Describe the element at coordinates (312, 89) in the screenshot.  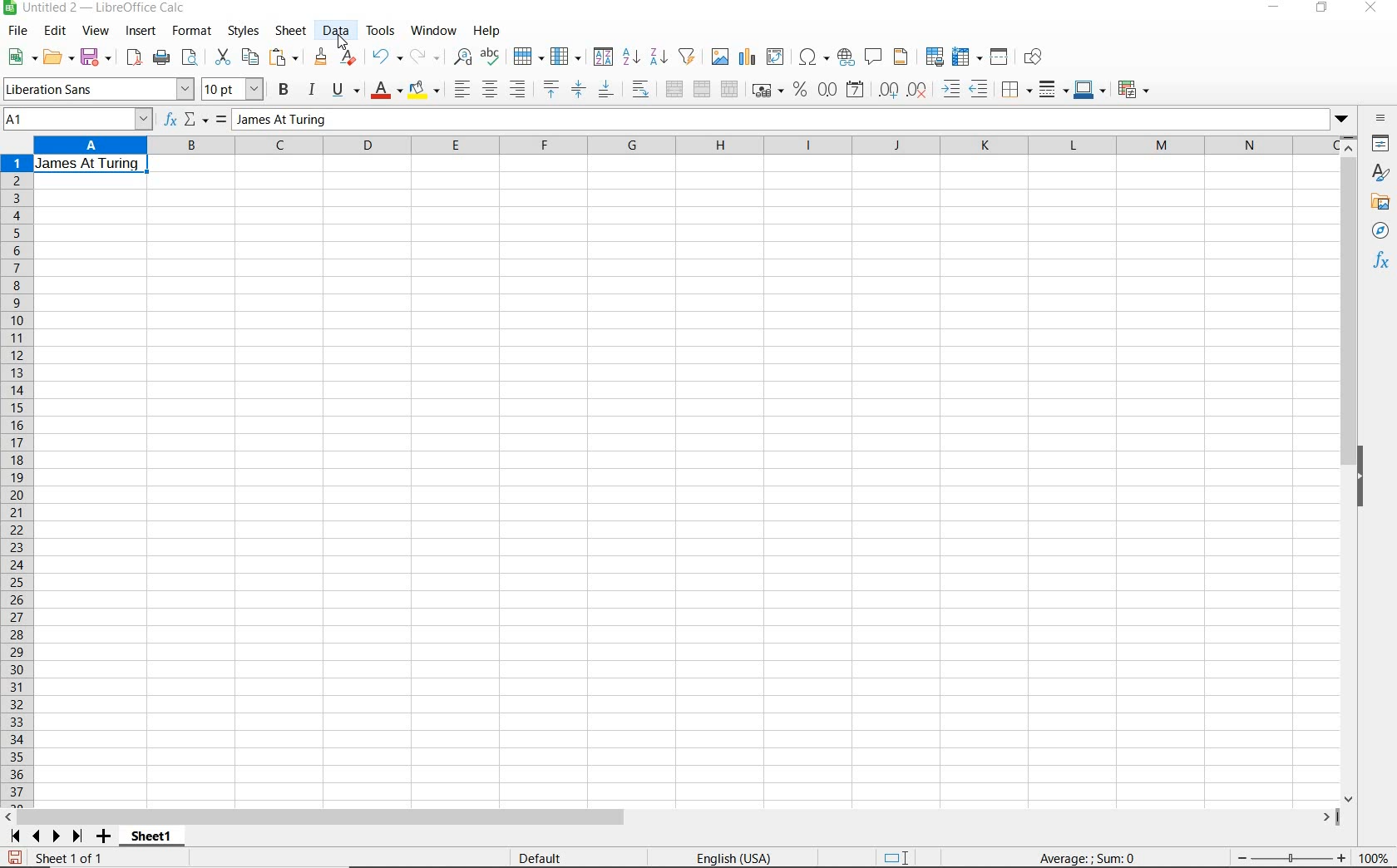
I see `italic` at that location.